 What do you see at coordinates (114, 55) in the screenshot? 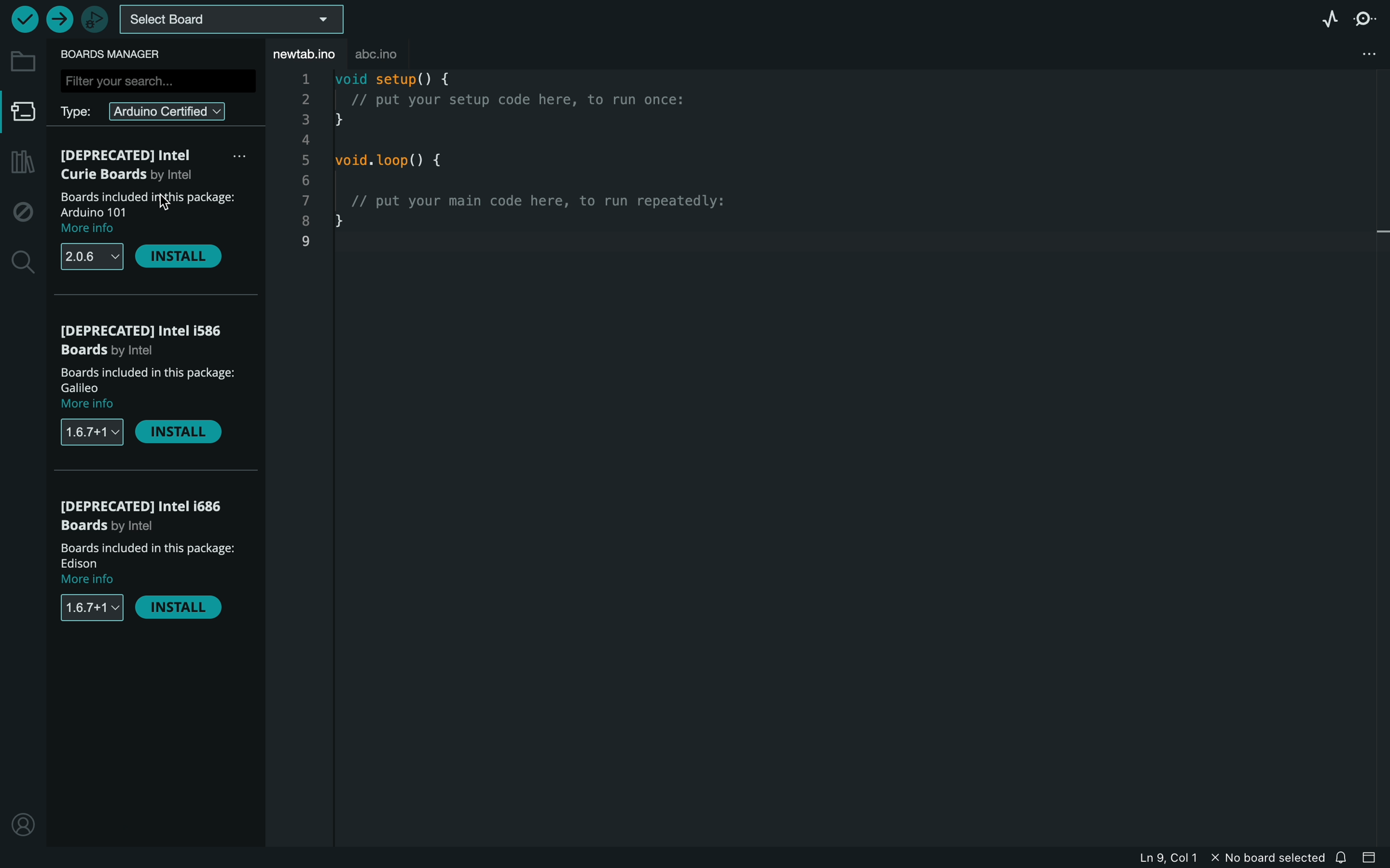
I see `boards manager` at bounding box center [114, 55].